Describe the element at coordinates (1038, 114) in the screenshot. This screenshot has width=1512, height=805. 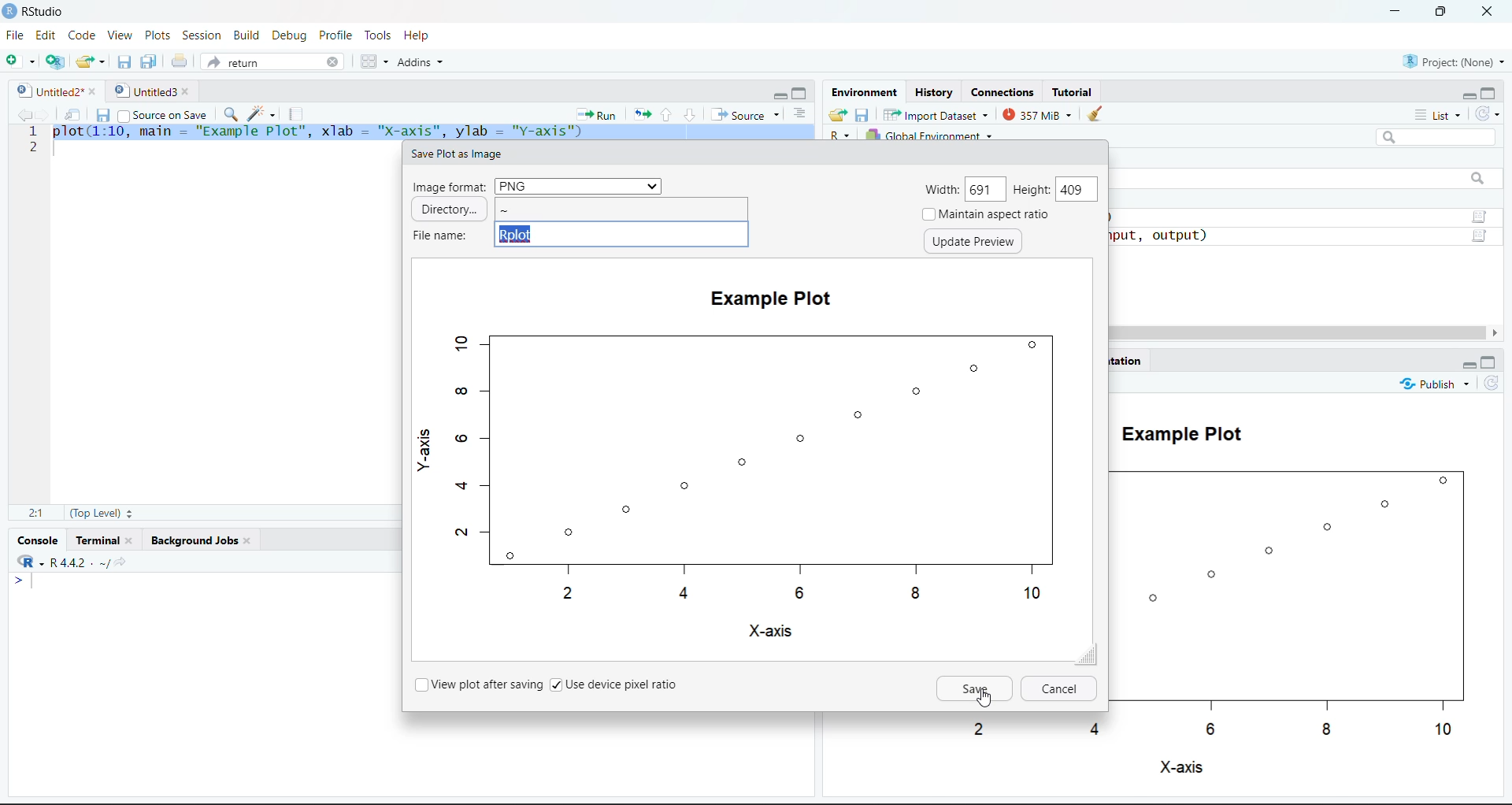
I see `357kib used by R session (Source: Windows System)` at that location.